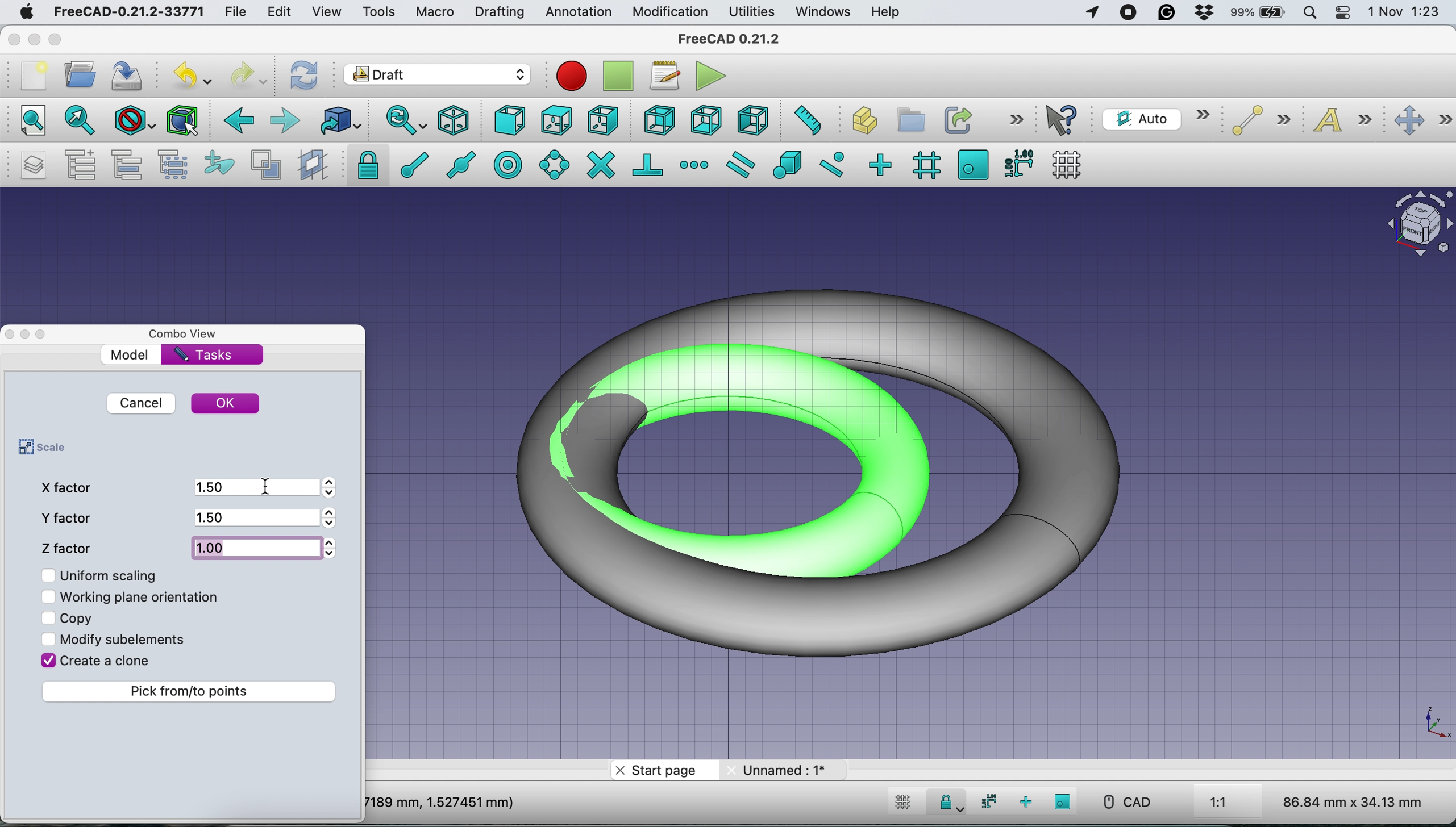 The image size is (1456, 827). What do you see at coordinates (509, 122) in the screenshot?
I see `front` at bounding box center [509, 122].